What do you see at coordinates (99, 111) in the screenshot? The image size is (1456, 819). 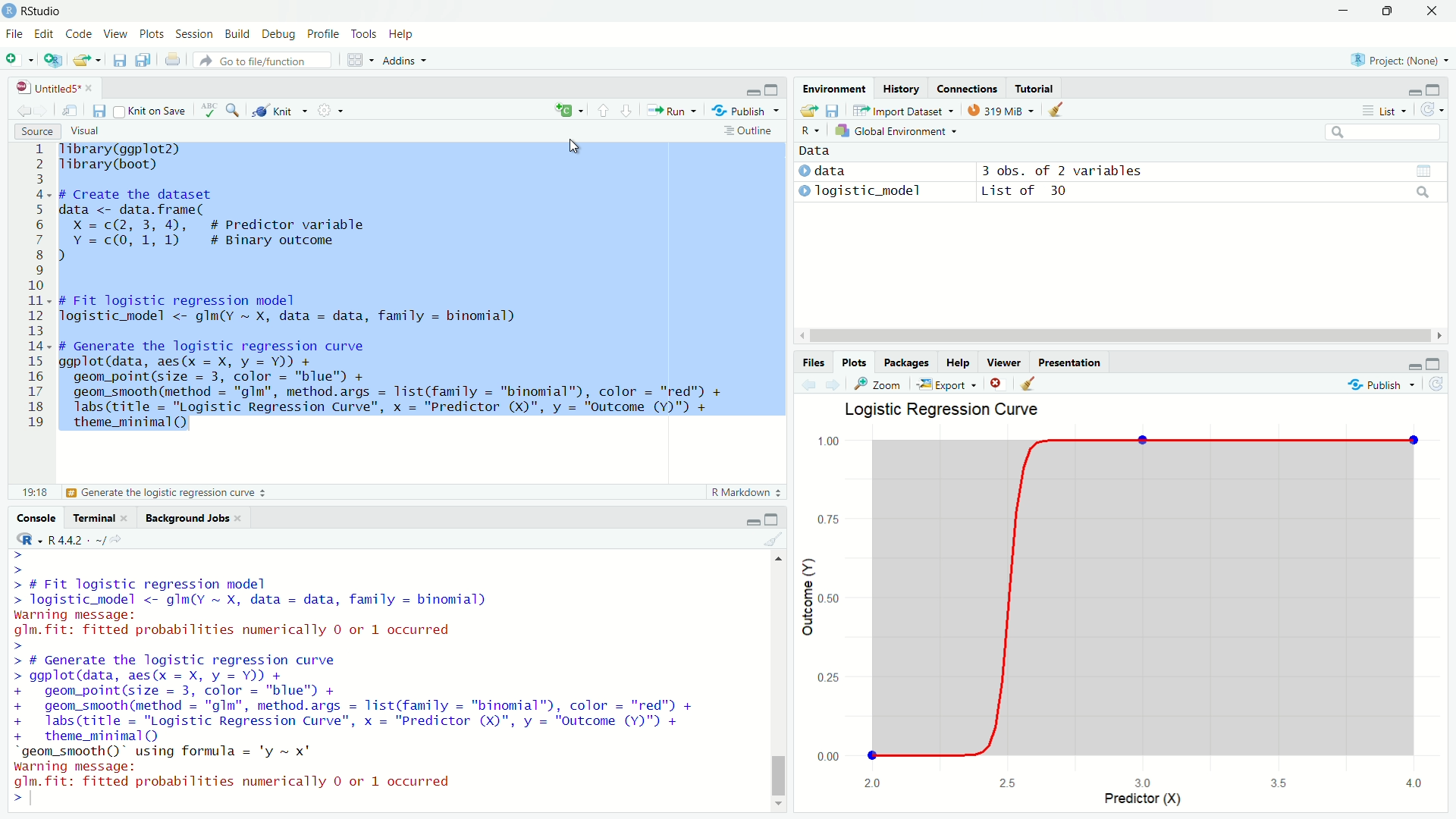 I see `Save current document` at bounding box center [99, 111].